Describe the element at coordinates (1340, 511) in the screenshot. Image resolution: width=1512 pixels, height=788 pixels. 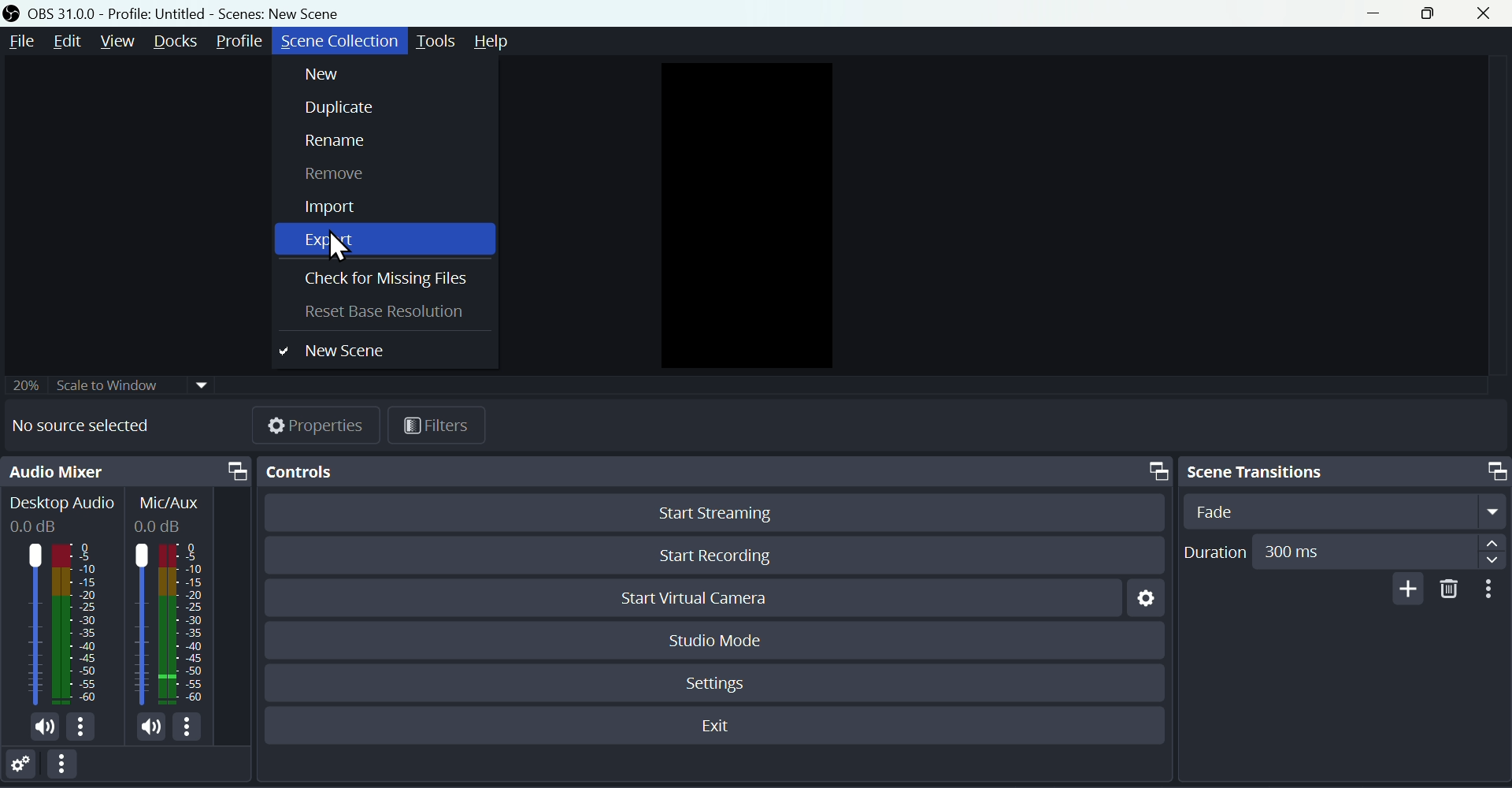
I see `Fade` at that location.